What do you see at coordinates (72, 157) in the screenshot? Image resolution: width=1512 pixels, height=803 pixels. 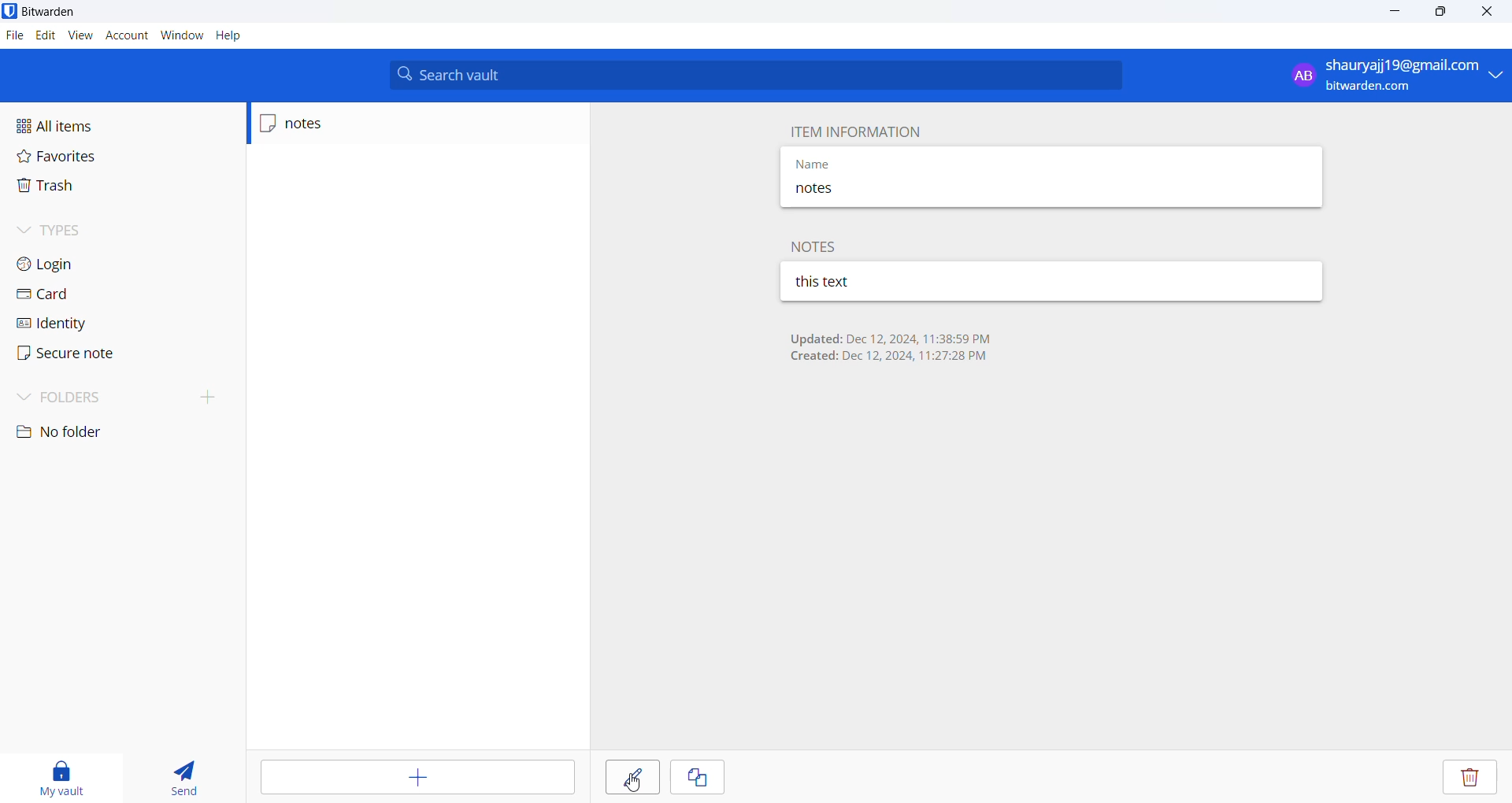 I see `favorites` at bounding box center [72, 157].